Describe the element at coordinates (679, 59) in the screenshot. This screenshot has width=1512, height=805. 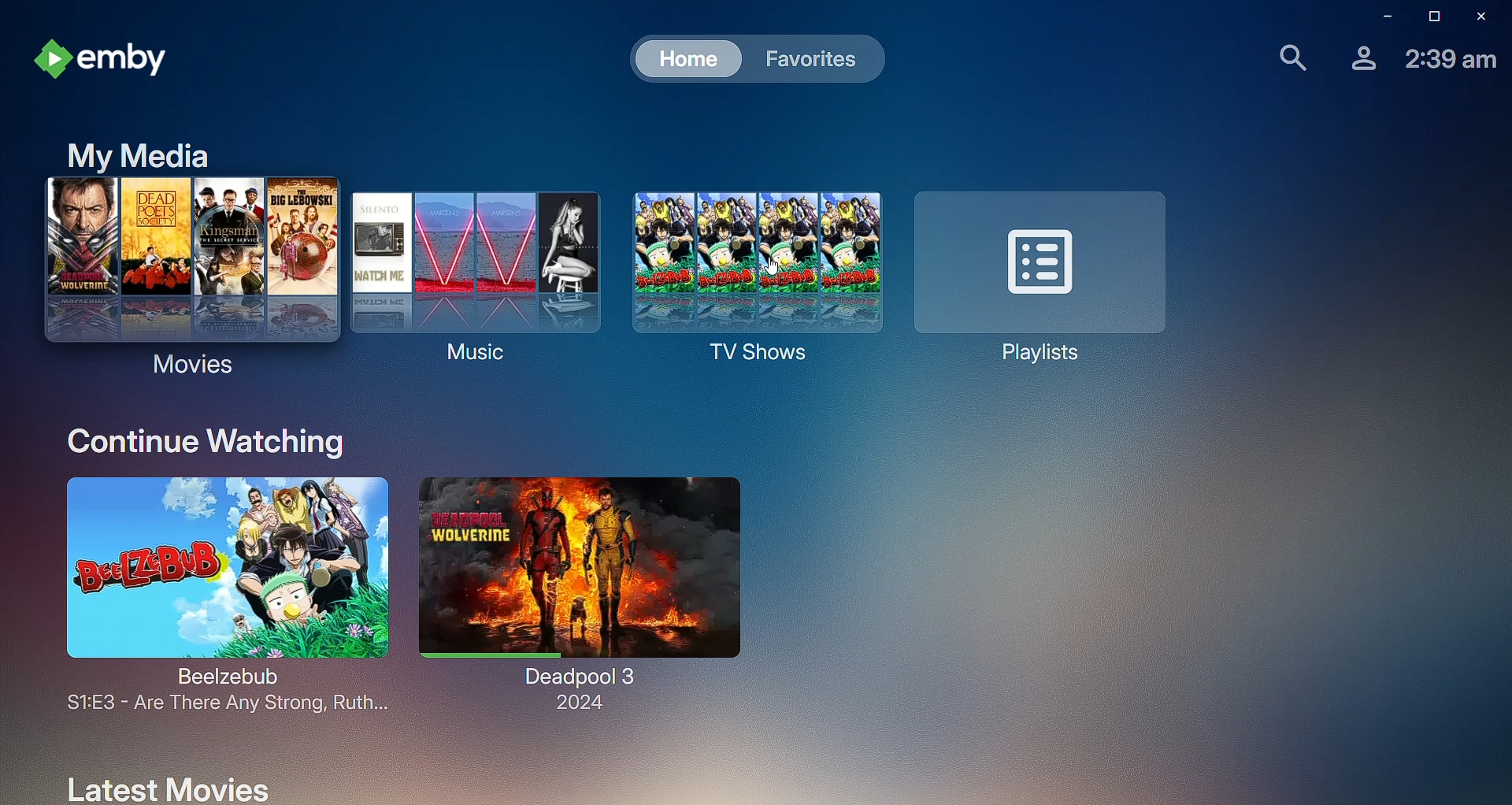
I see `Home` at that location.